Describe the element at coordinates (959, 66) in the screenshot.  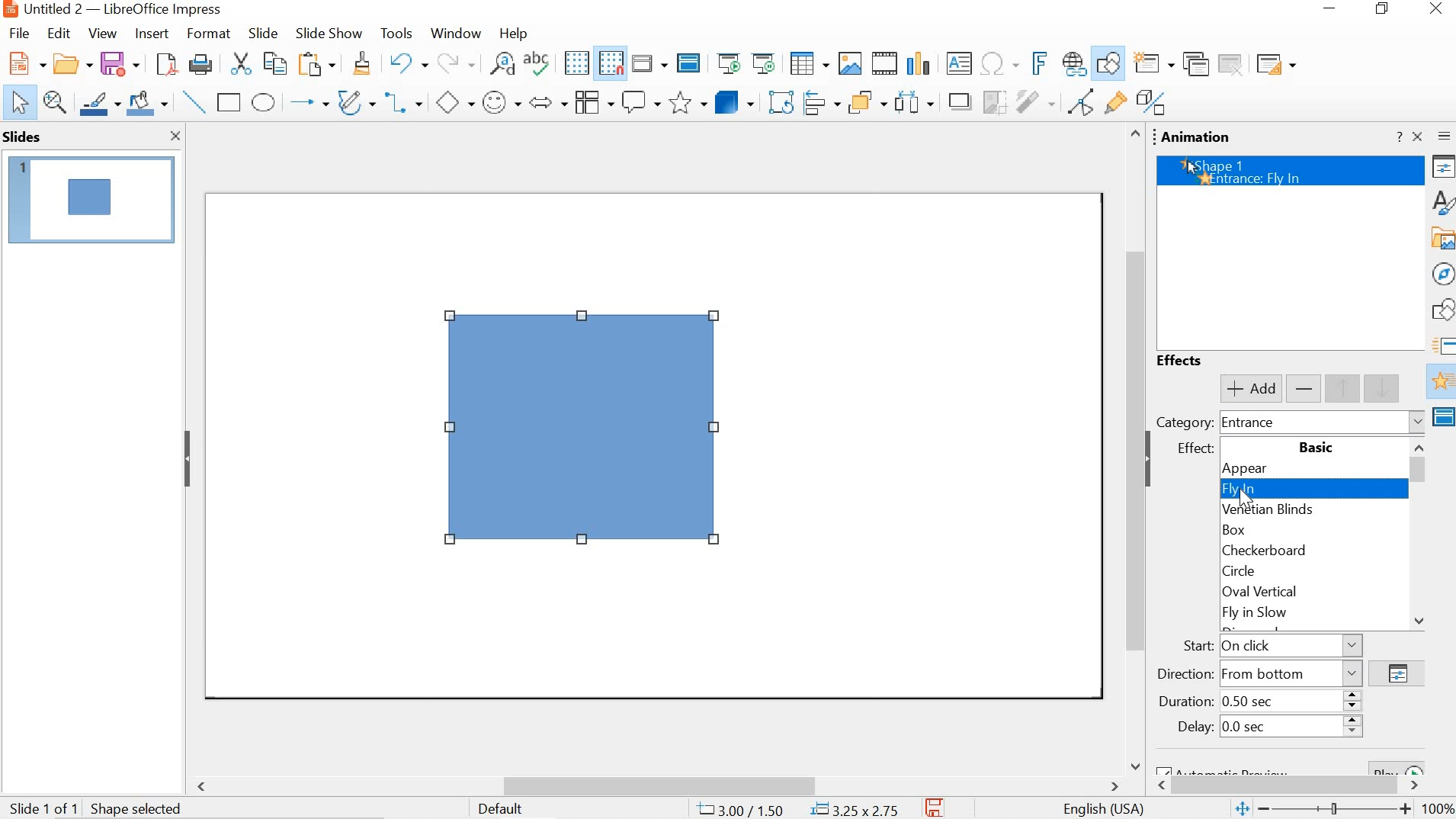
I see `insert text box` at that location.